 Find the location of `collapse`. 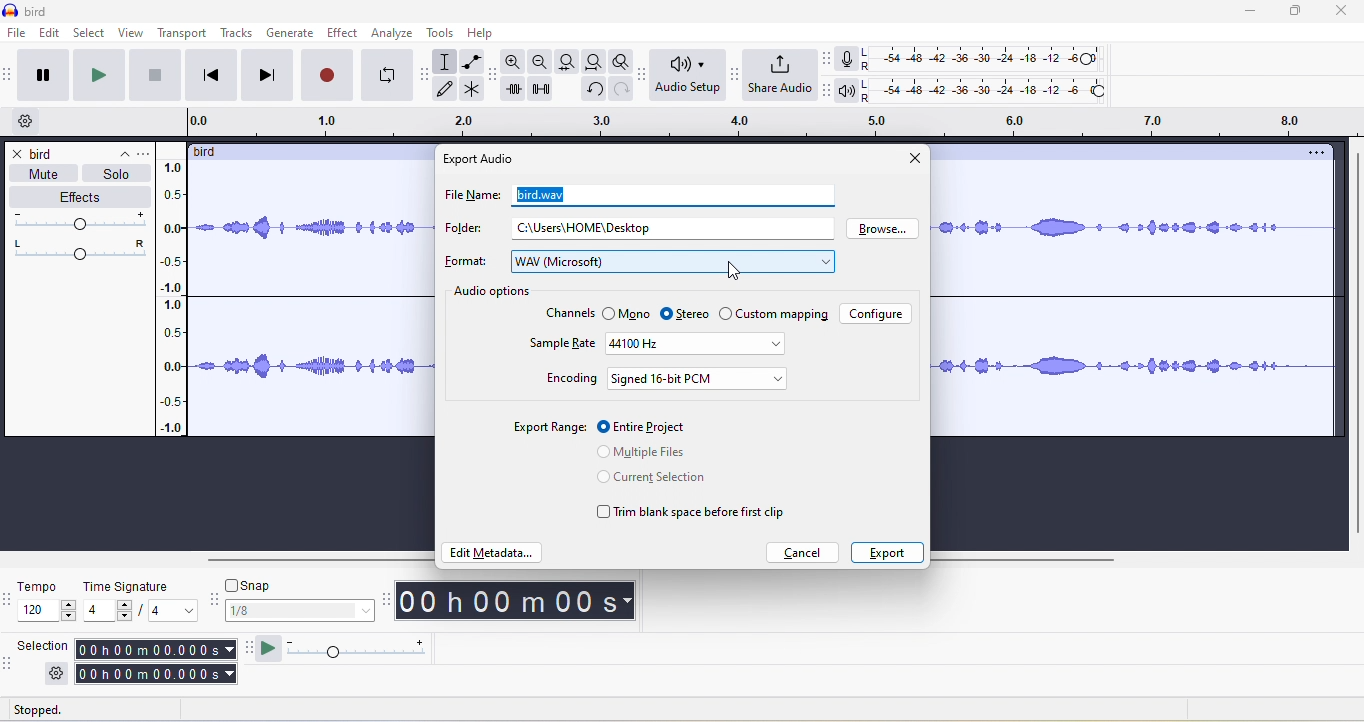

collapse is located at coordinates (117, 150).